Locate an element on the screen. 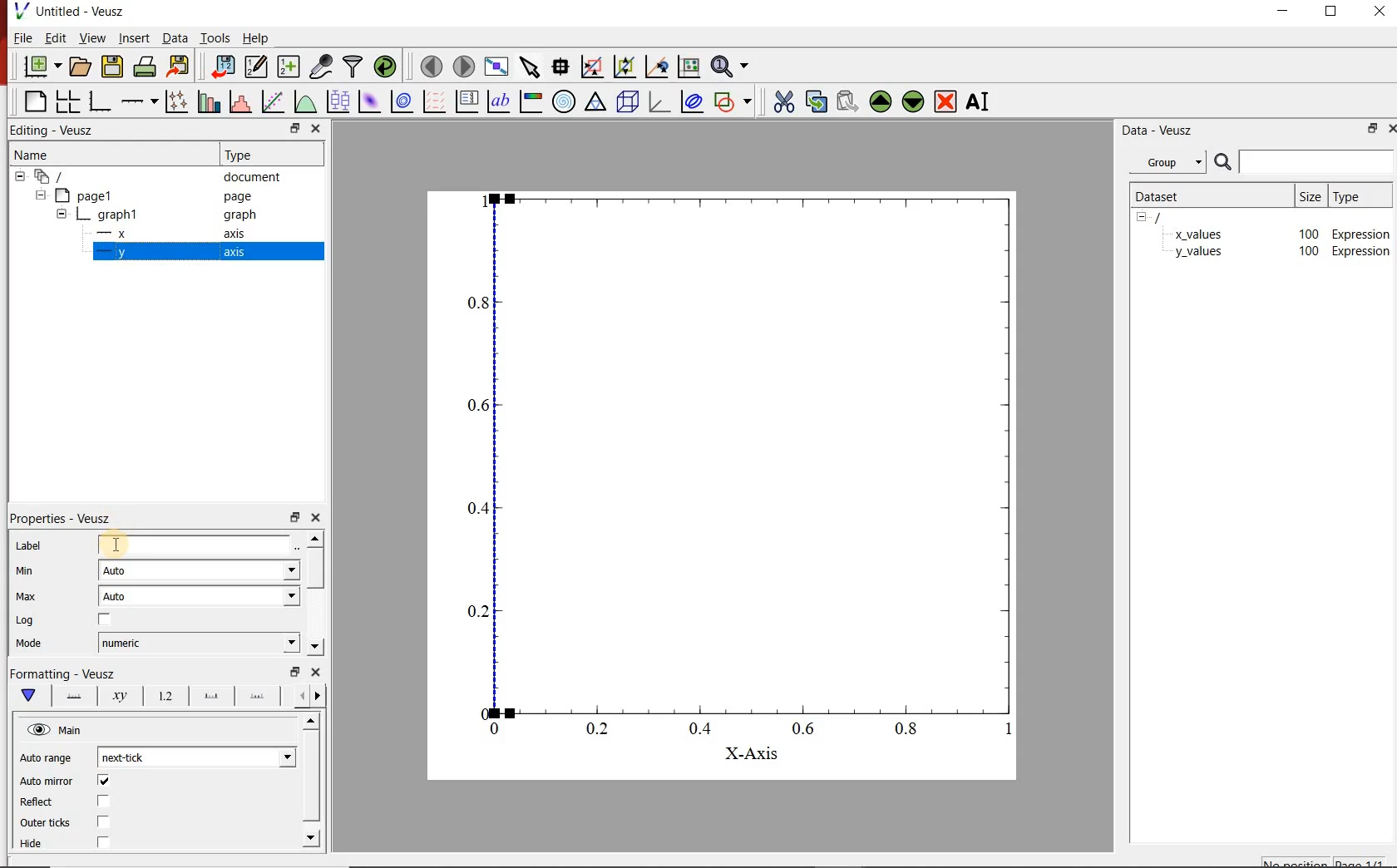 The width and height of the screenshot is (1397, 868). hide view is located at coordinates (57, 728).